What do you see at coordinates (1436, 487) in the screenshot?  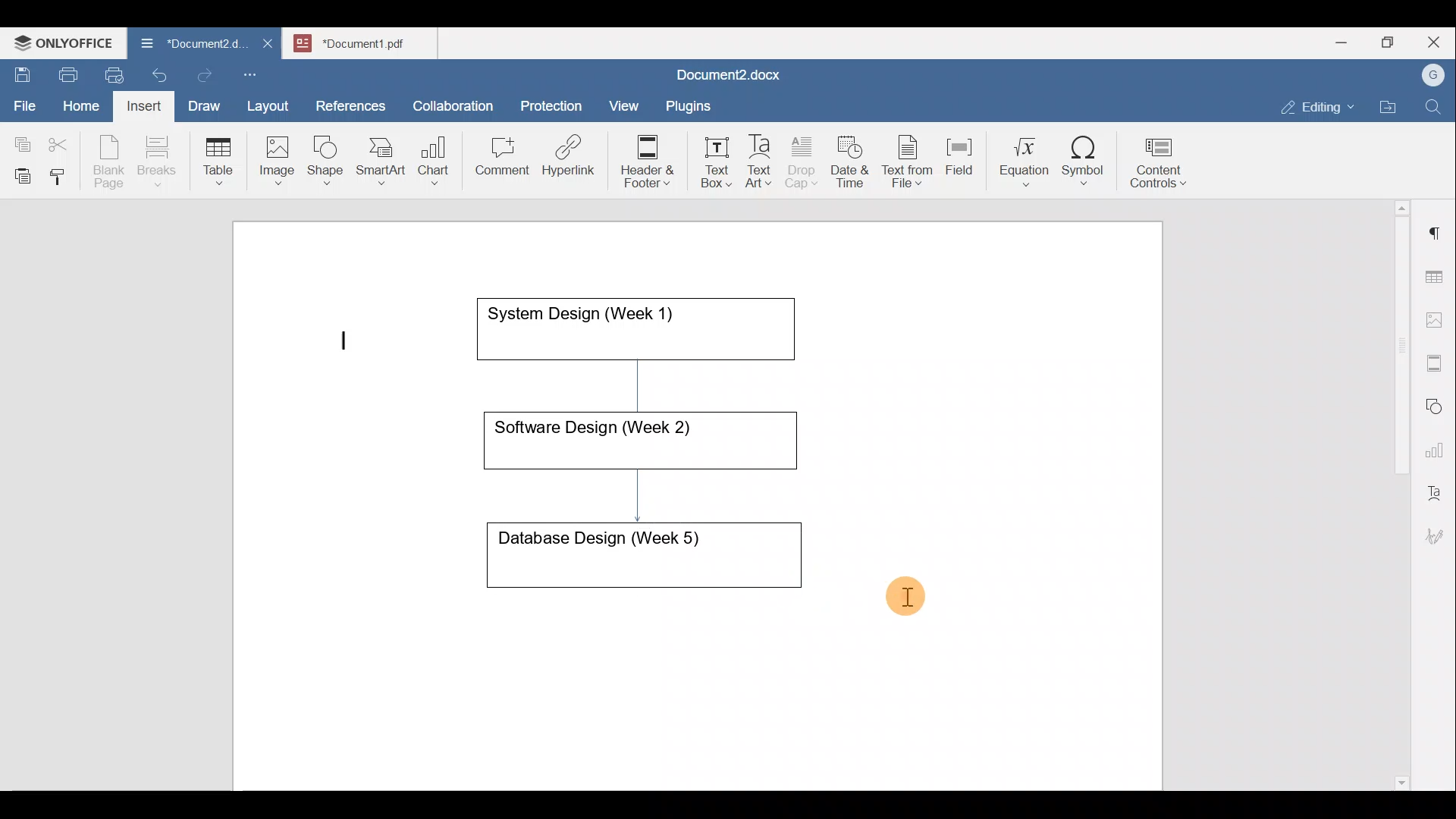 I see `Text Art settings` at bounding box center [1436, 487].